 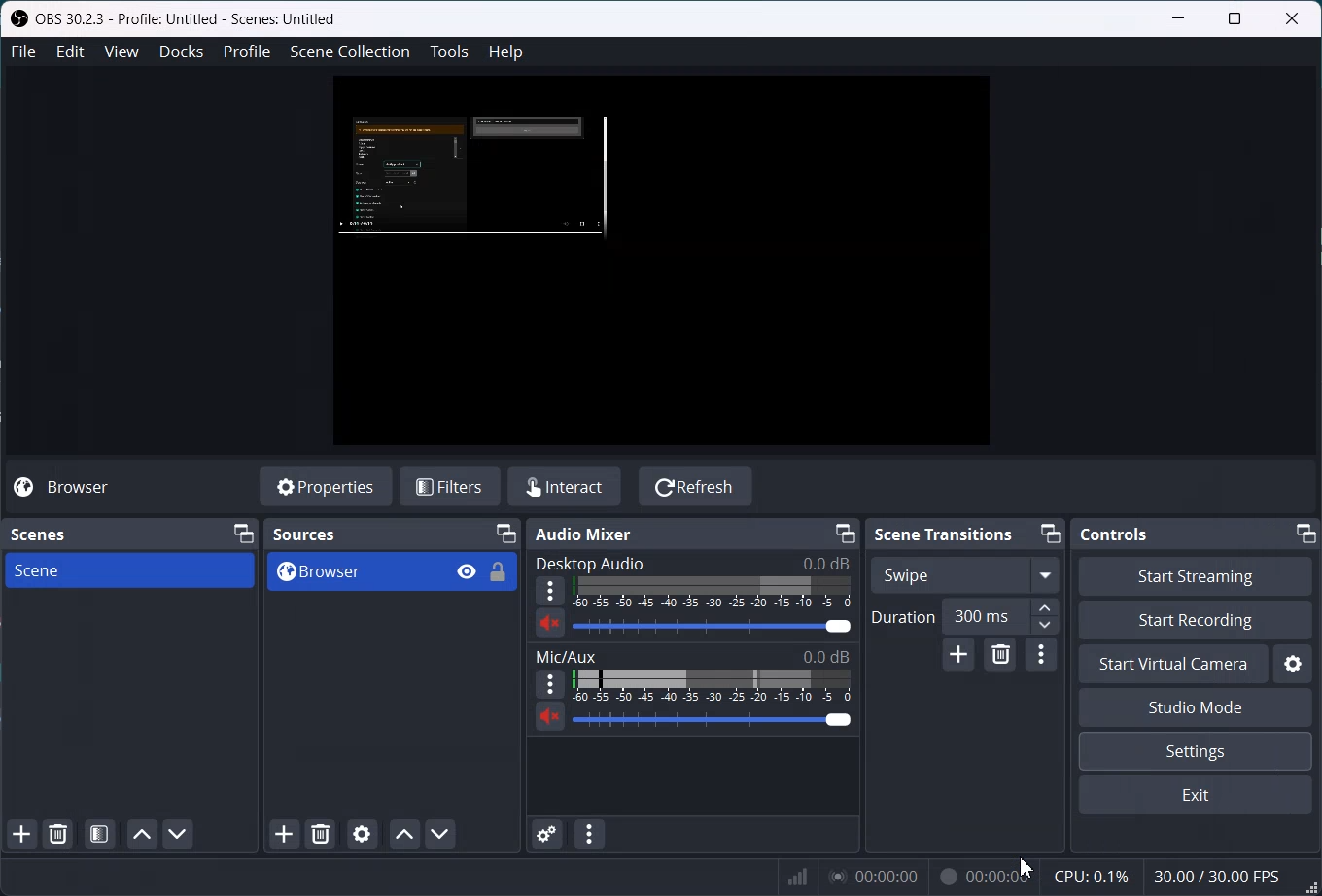 What do you see at coordinates (1113, 534) in the screenshot?
I see `Controls` at bounding box center [1113, 534].